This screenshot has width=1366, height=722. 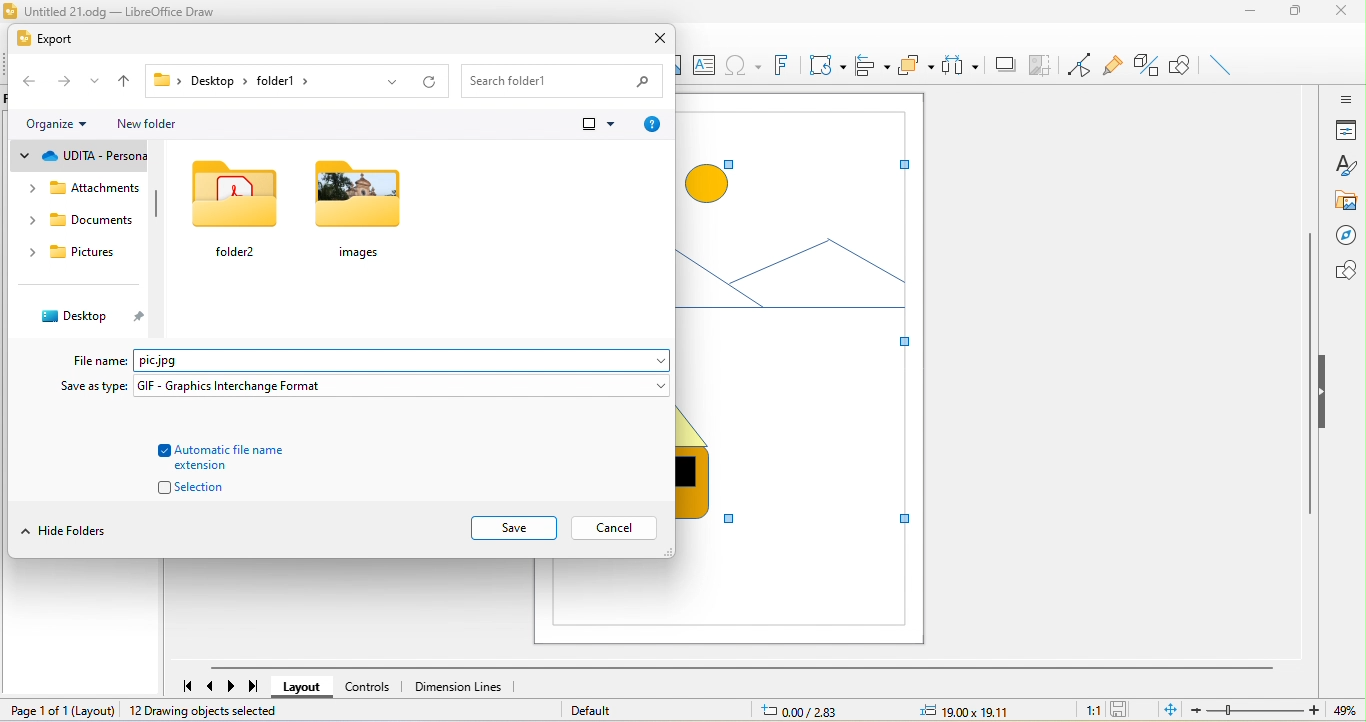 I want to click on fontwork text, so click(x=779, y=64).